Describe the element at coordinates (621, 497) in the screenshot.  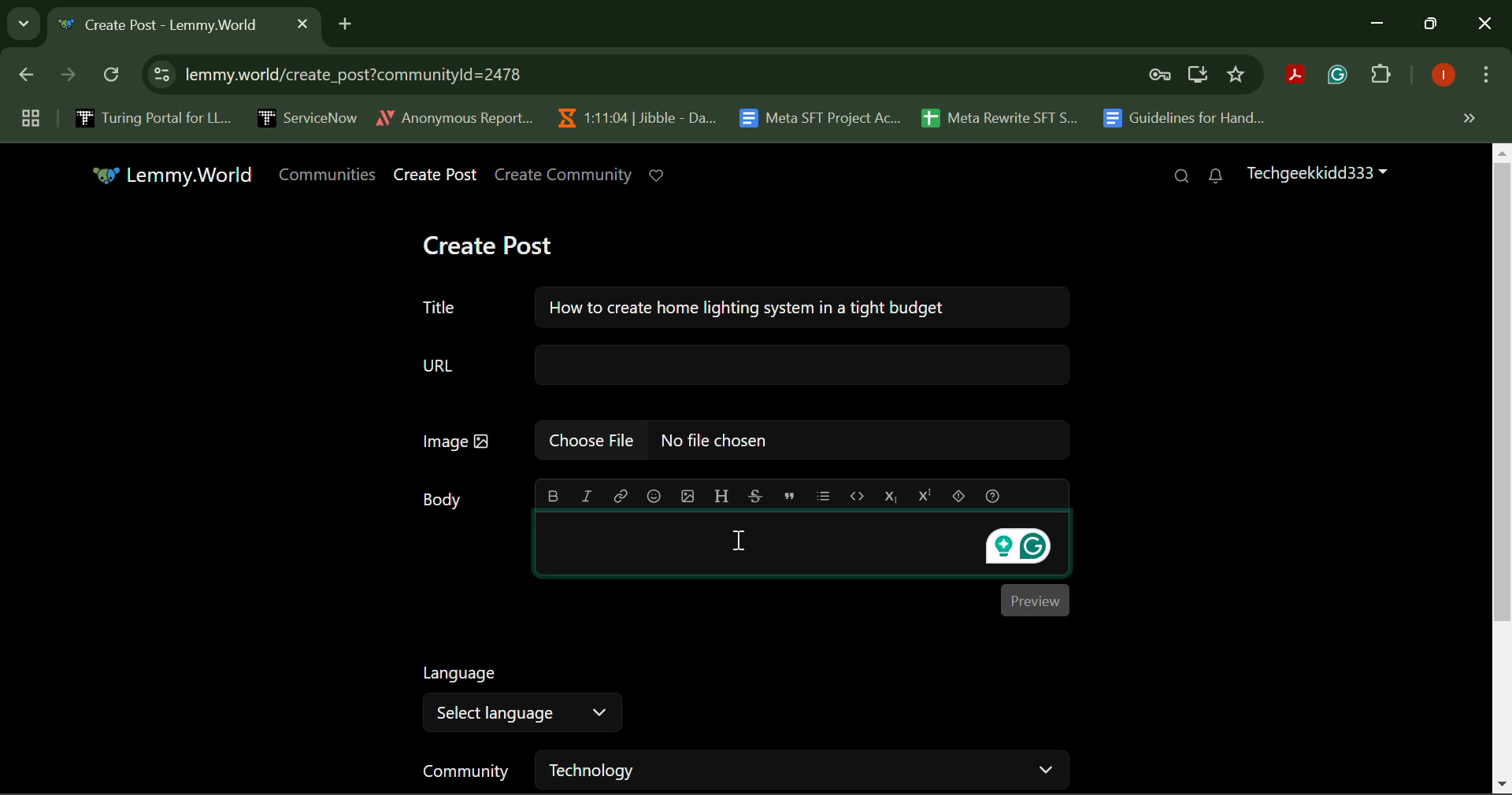
I see `link` at that location.